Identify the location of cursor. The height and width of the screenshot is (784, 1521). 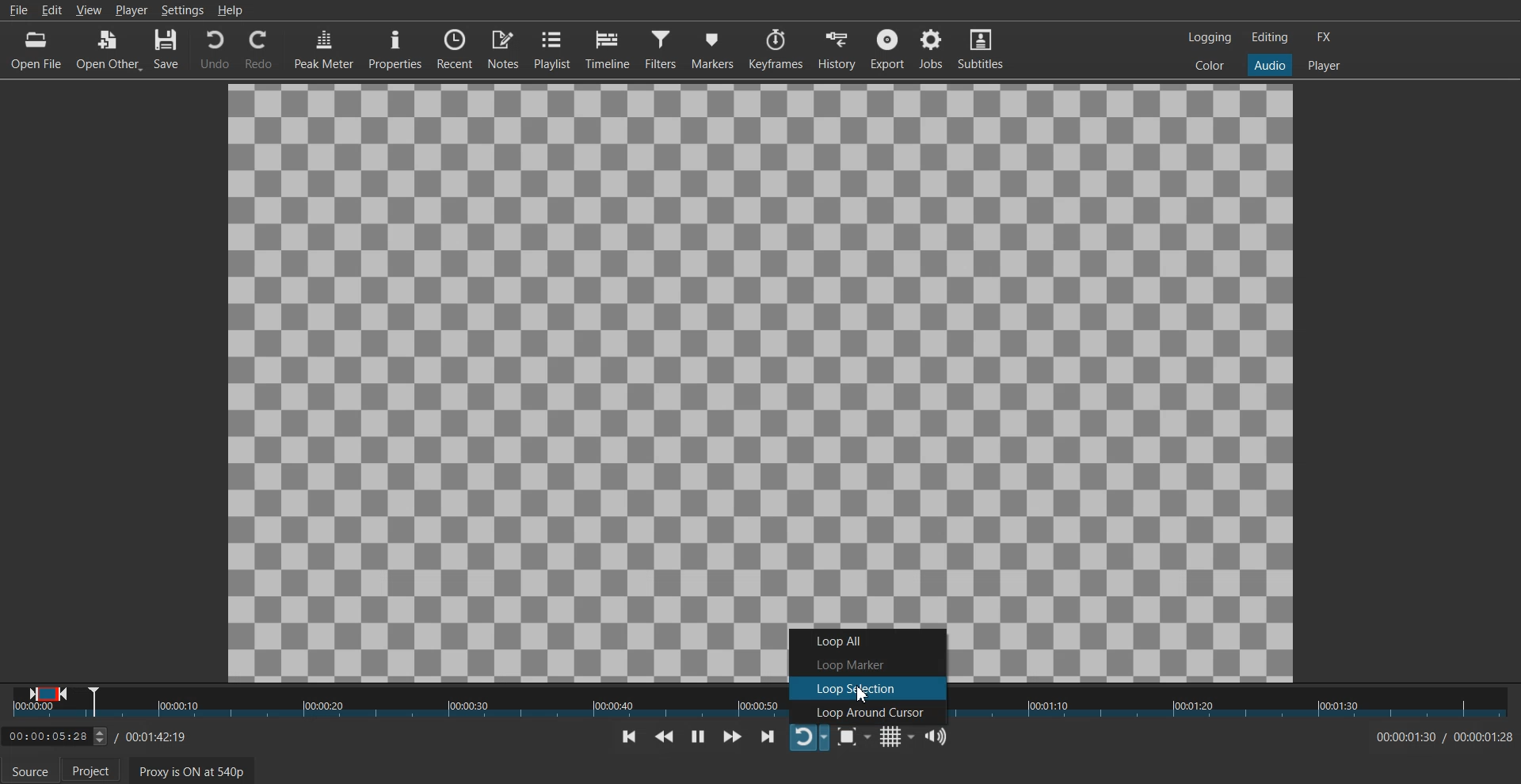
(862, 695).